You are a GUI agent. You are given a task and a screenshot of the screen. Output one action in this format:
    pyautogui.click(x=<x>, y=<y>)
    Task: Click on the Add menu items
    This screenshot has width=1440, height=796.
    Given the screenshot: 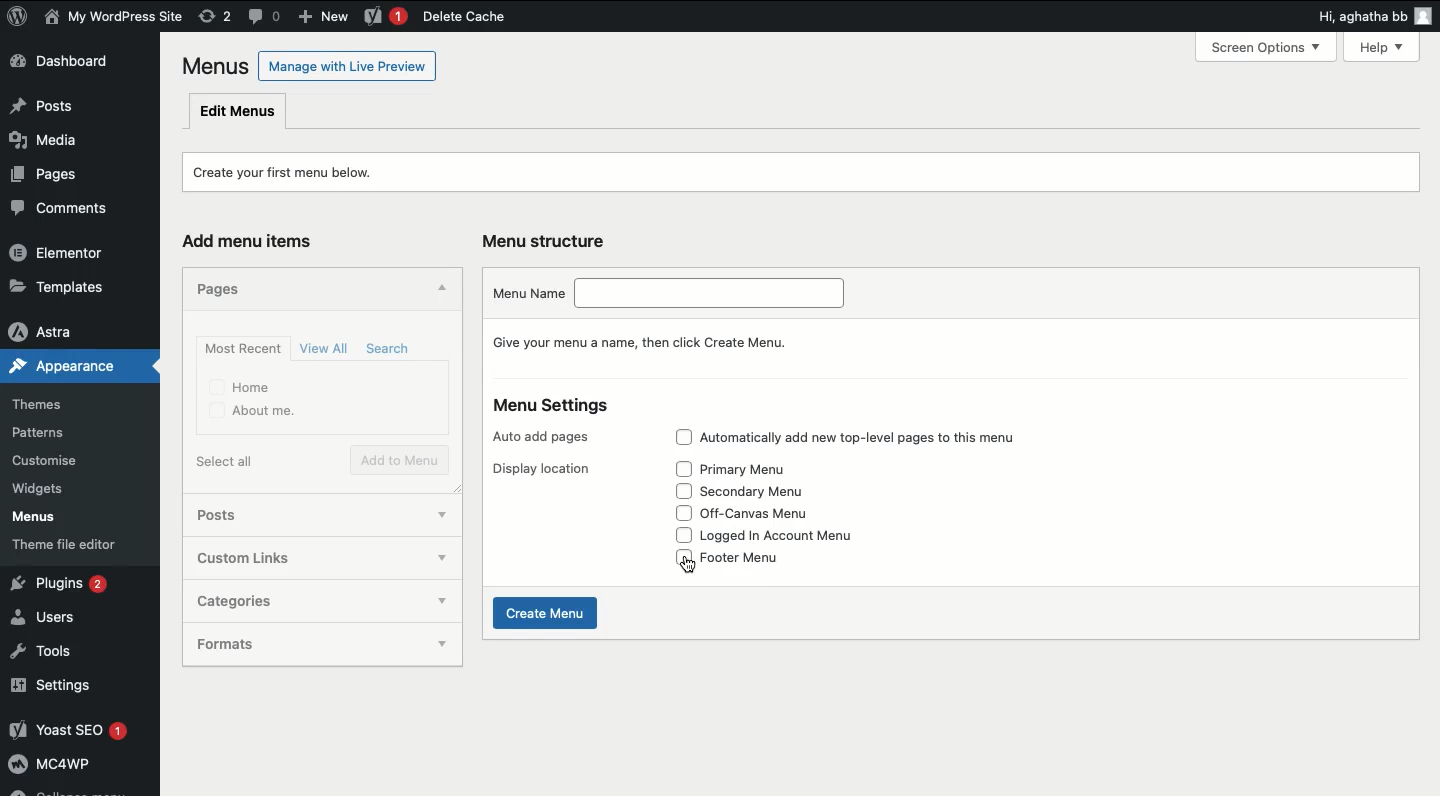 What is the action you would take?
    pyautogui.click(x=252, y=240)
    